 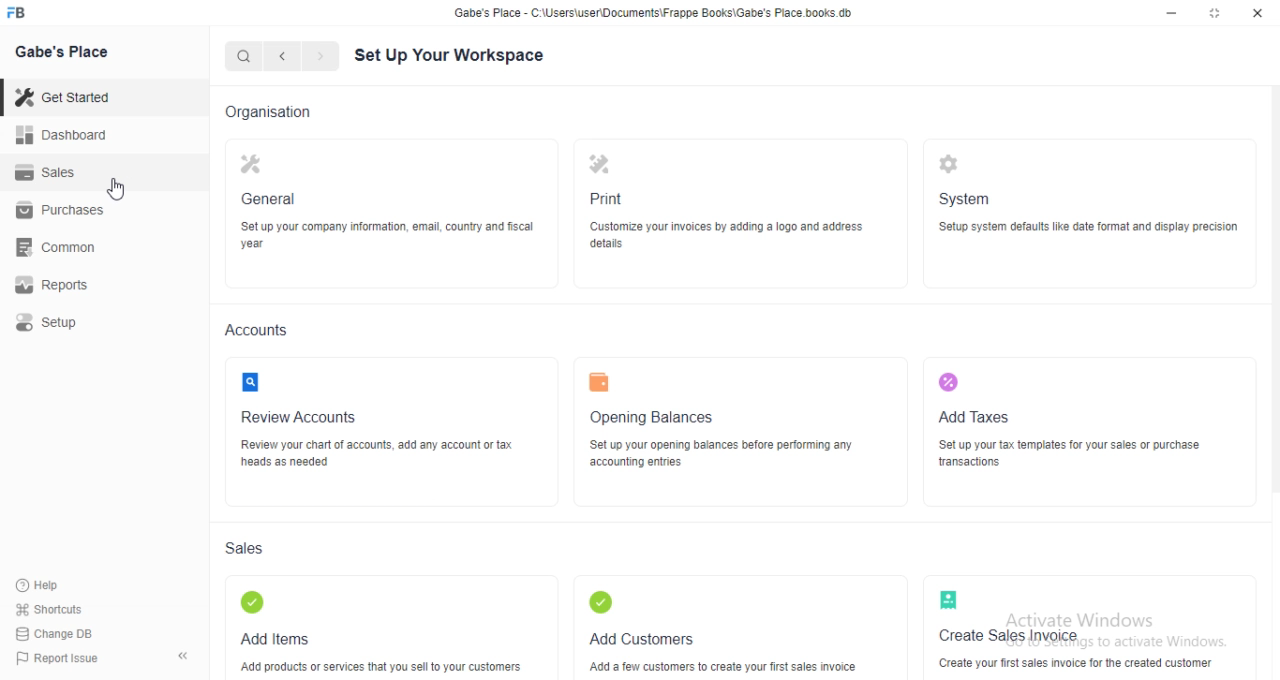 I want to click on Sales, so click(x=48, y=171).